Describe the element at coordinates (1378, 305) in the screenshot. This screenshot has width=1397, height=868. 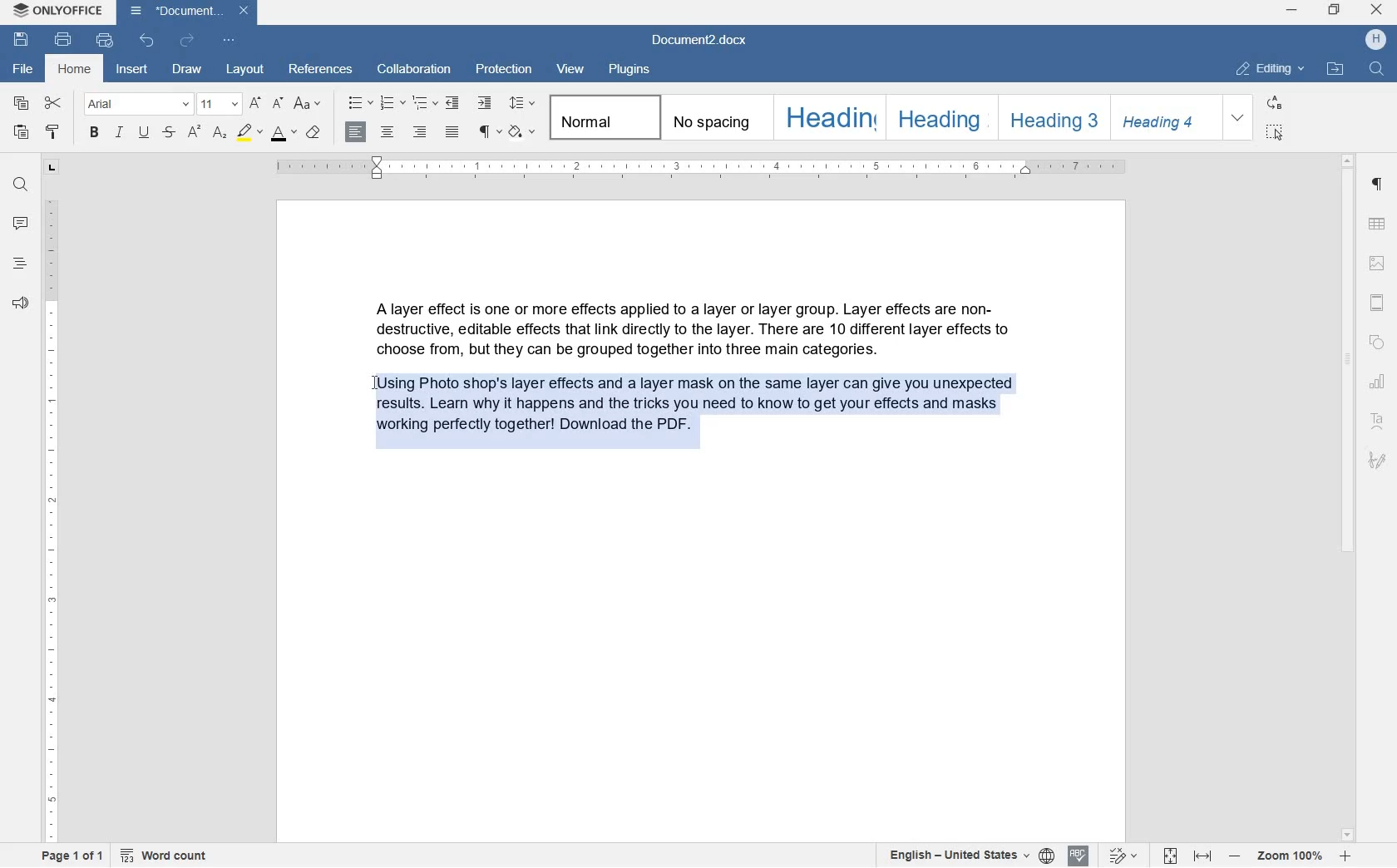
I see `HEADERS & FOOTERS` at that location.